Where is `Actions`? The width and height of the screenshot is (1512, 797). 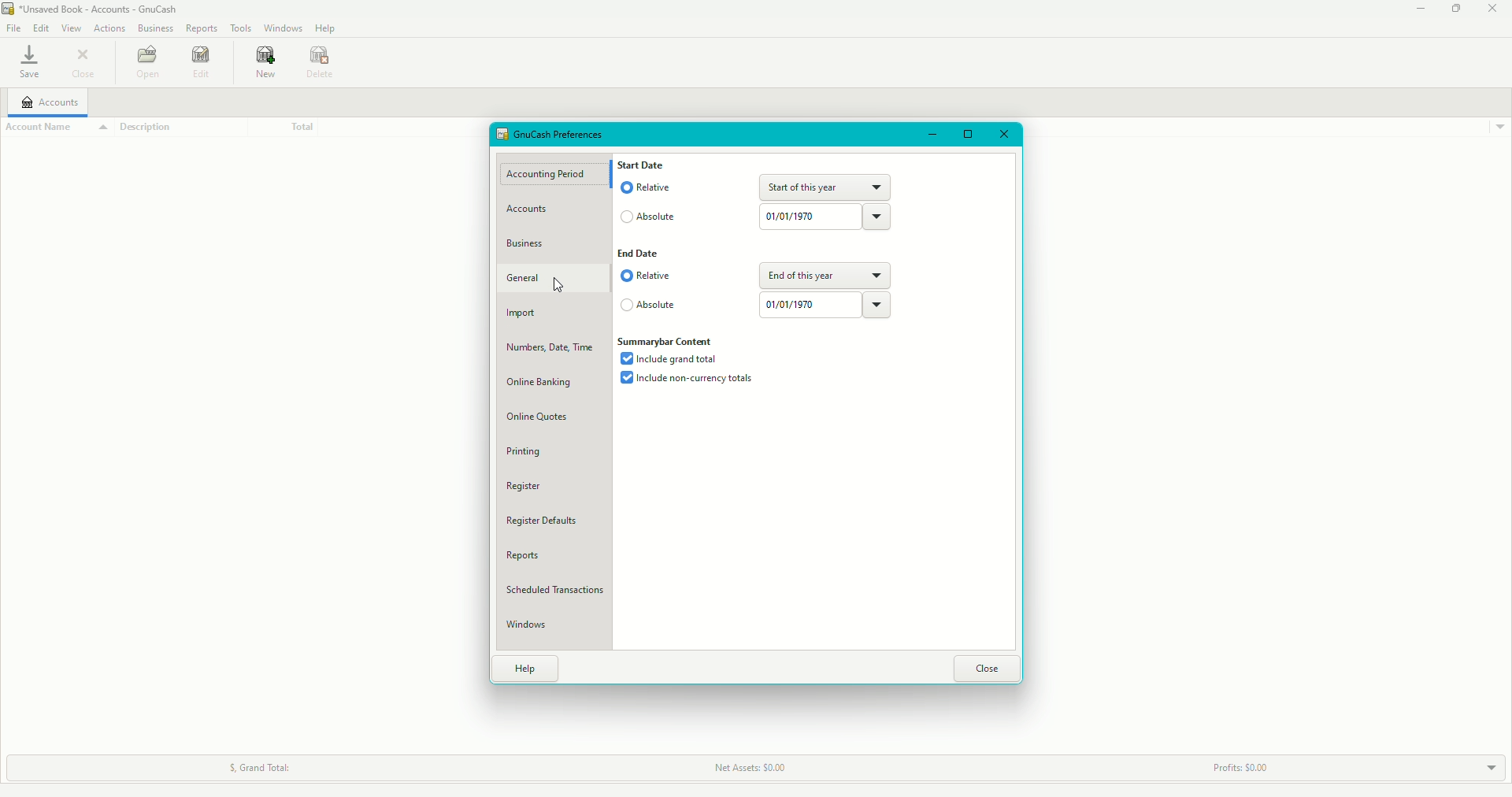 Actions is located at coordinates (110, 29).